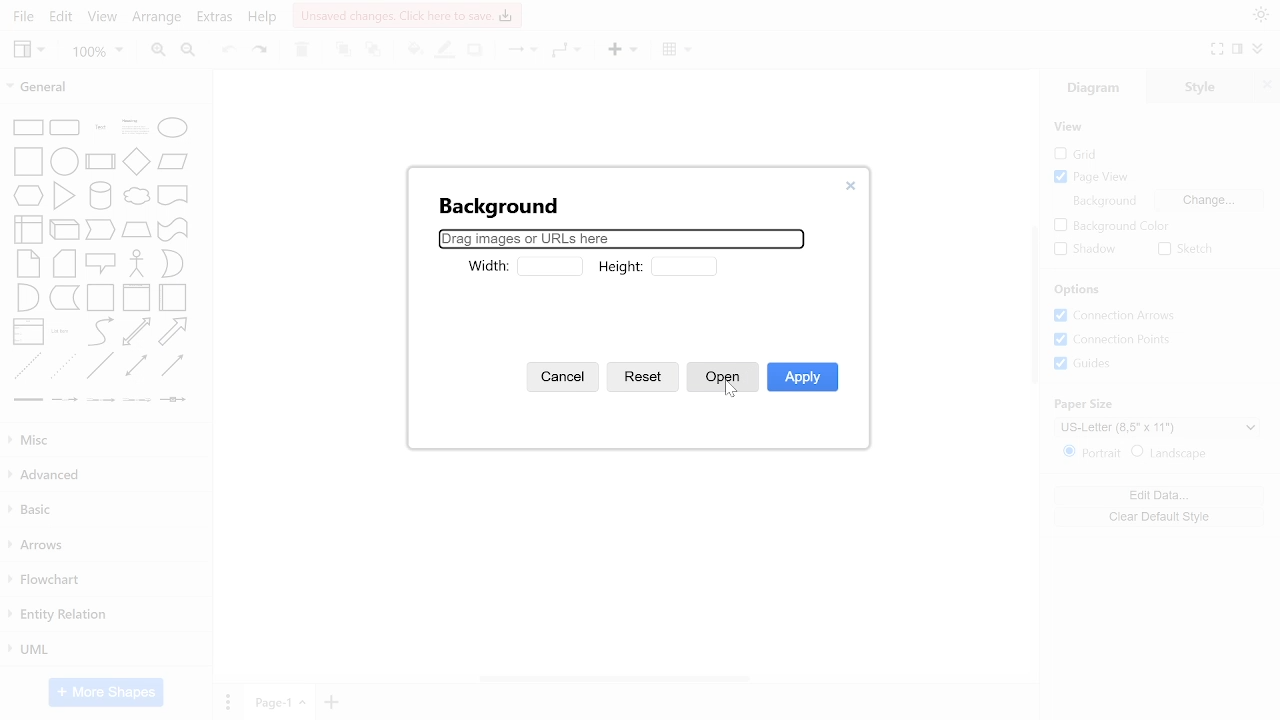  Describe the element at coordinates (98, 159) in the screenshot. I see `general shapes` at that location.